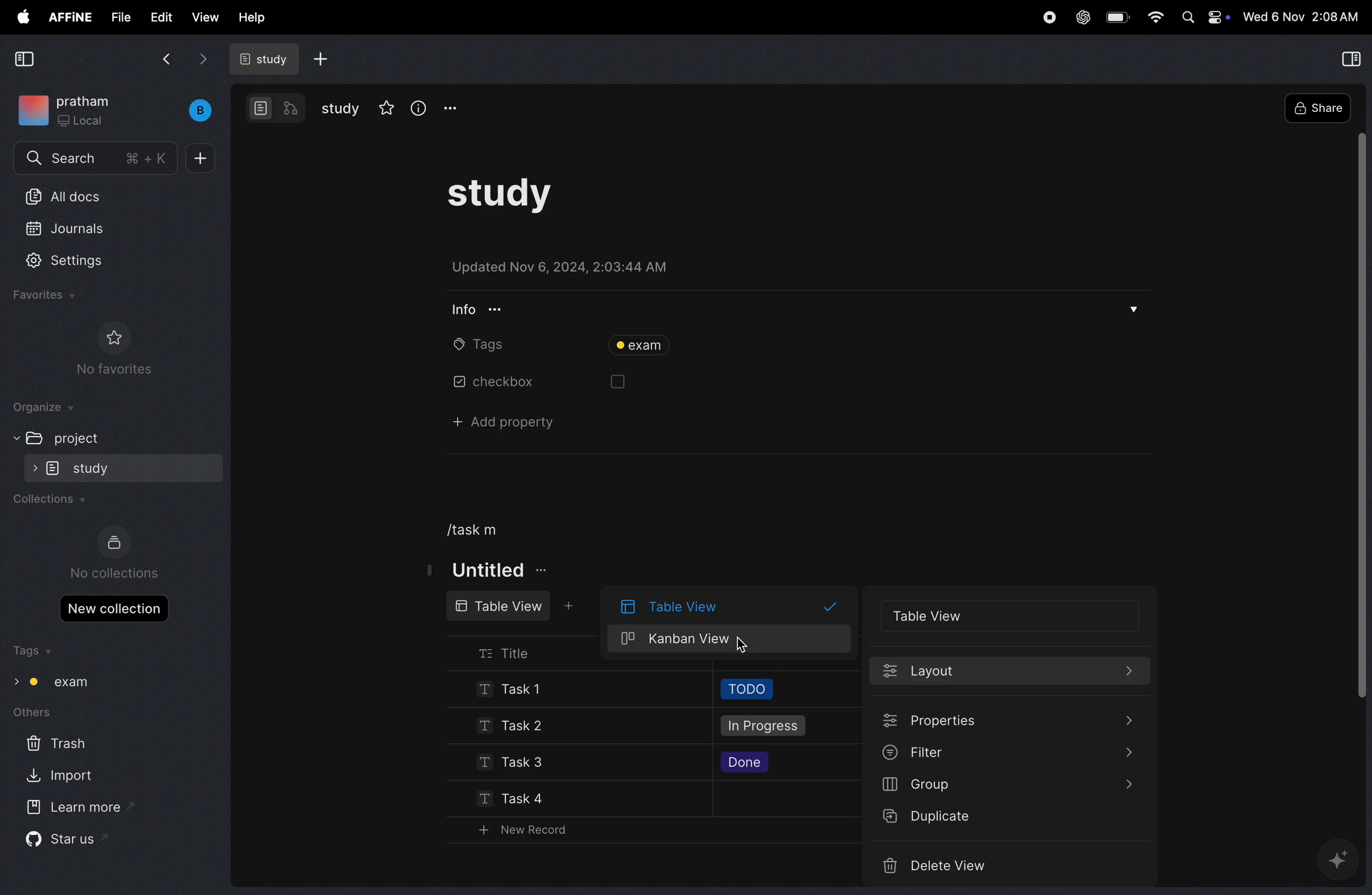  I want to click on edit, so click(163, 17).